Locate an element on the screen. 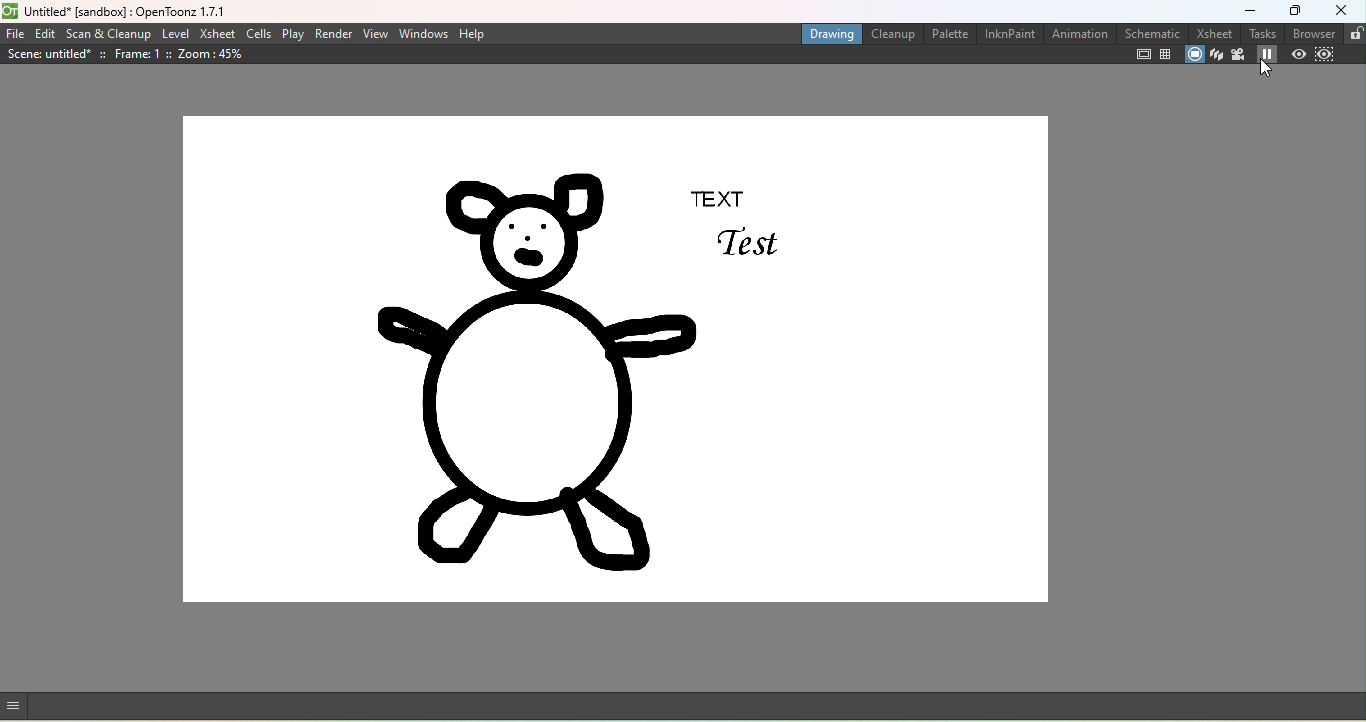 The height and width of the screenshot is (722, 1366). Lock rooms tab is located at coordinates (1353, 32).